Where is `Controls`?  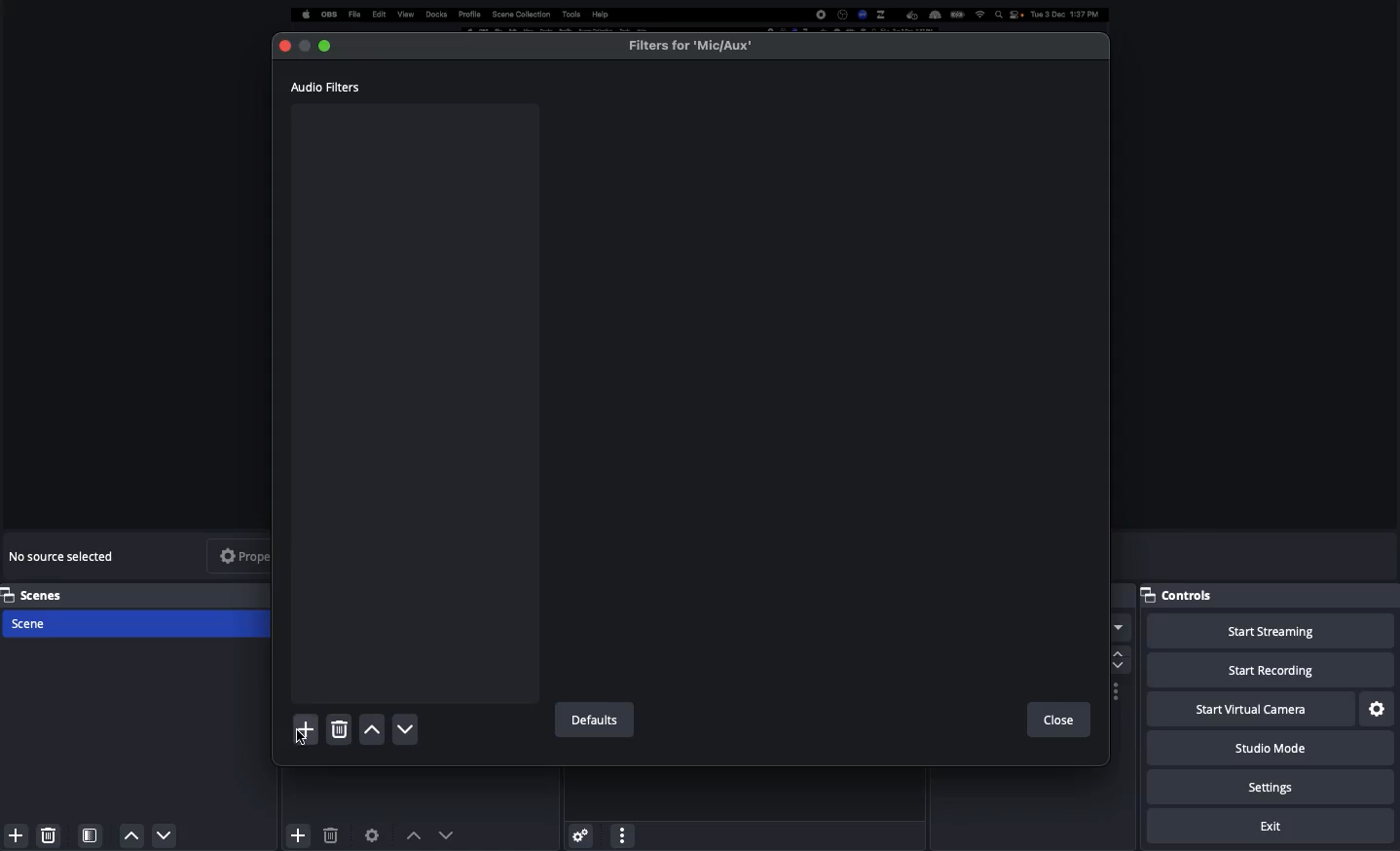
Controls is located at coordinates (1185, 595).